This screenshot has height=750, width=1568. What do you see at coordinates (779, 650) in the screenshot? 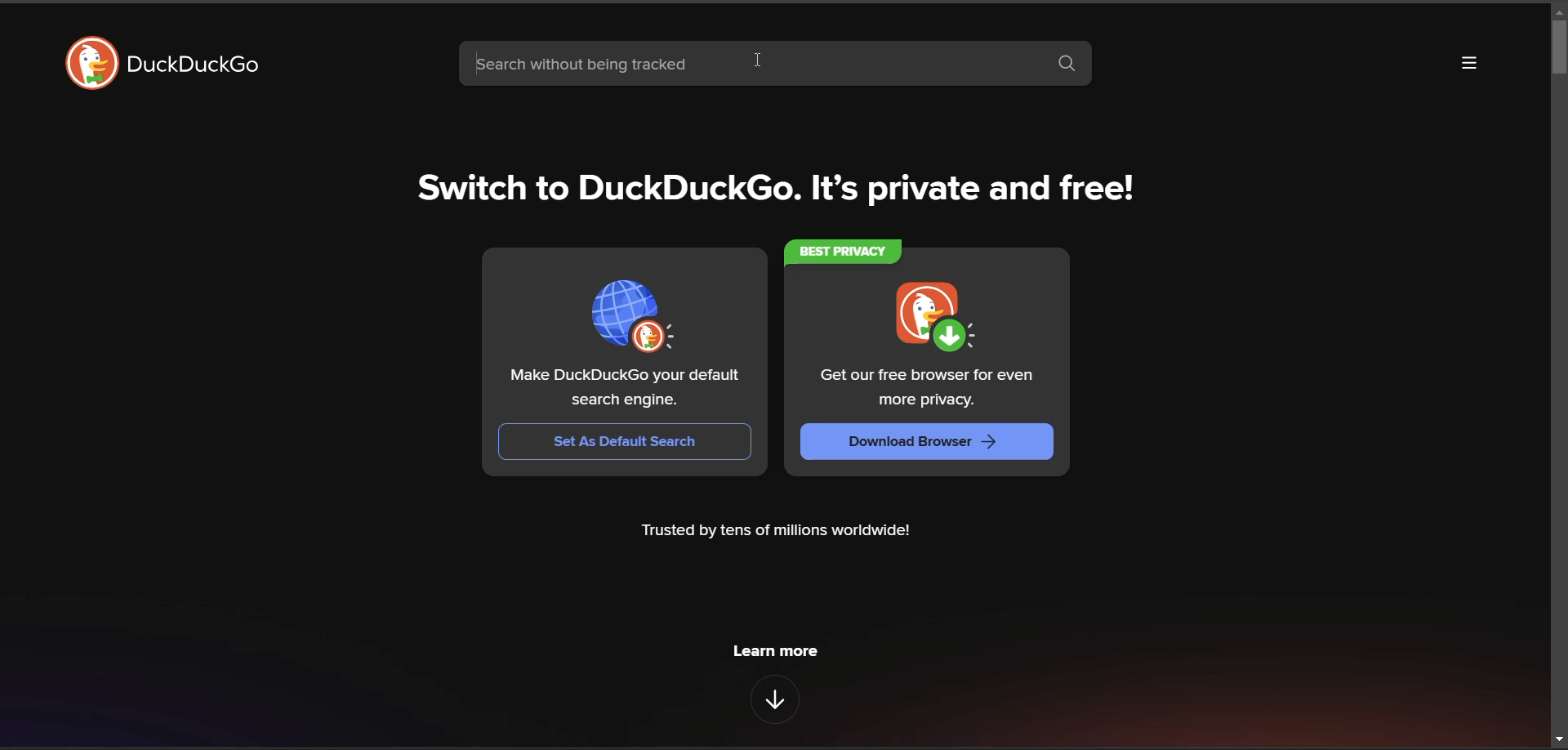
I see `learn more` at bounding box center [779, 650].